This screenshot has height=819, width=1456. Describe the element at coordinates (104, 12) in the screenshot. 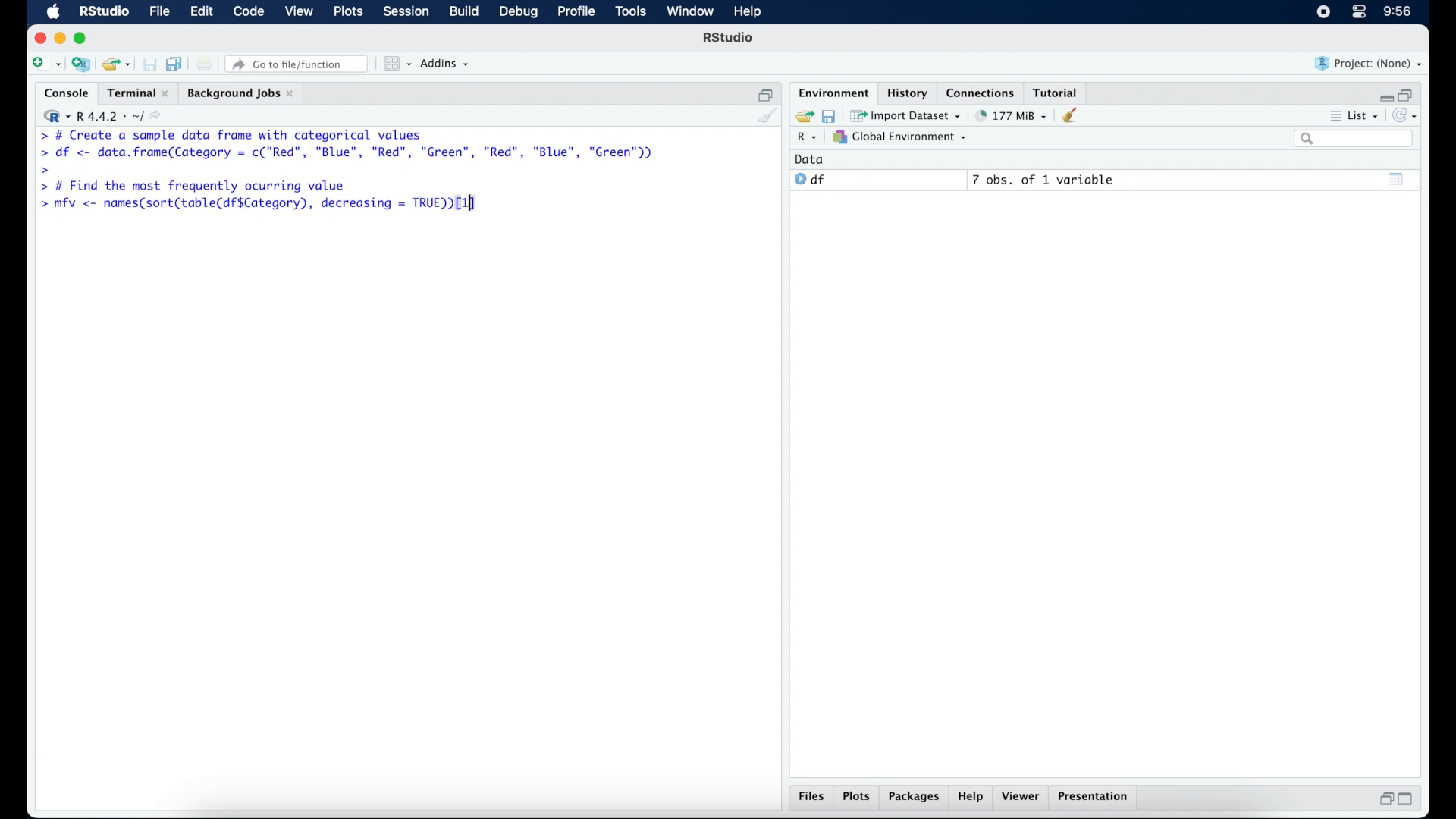

I see `R studio` at that location.